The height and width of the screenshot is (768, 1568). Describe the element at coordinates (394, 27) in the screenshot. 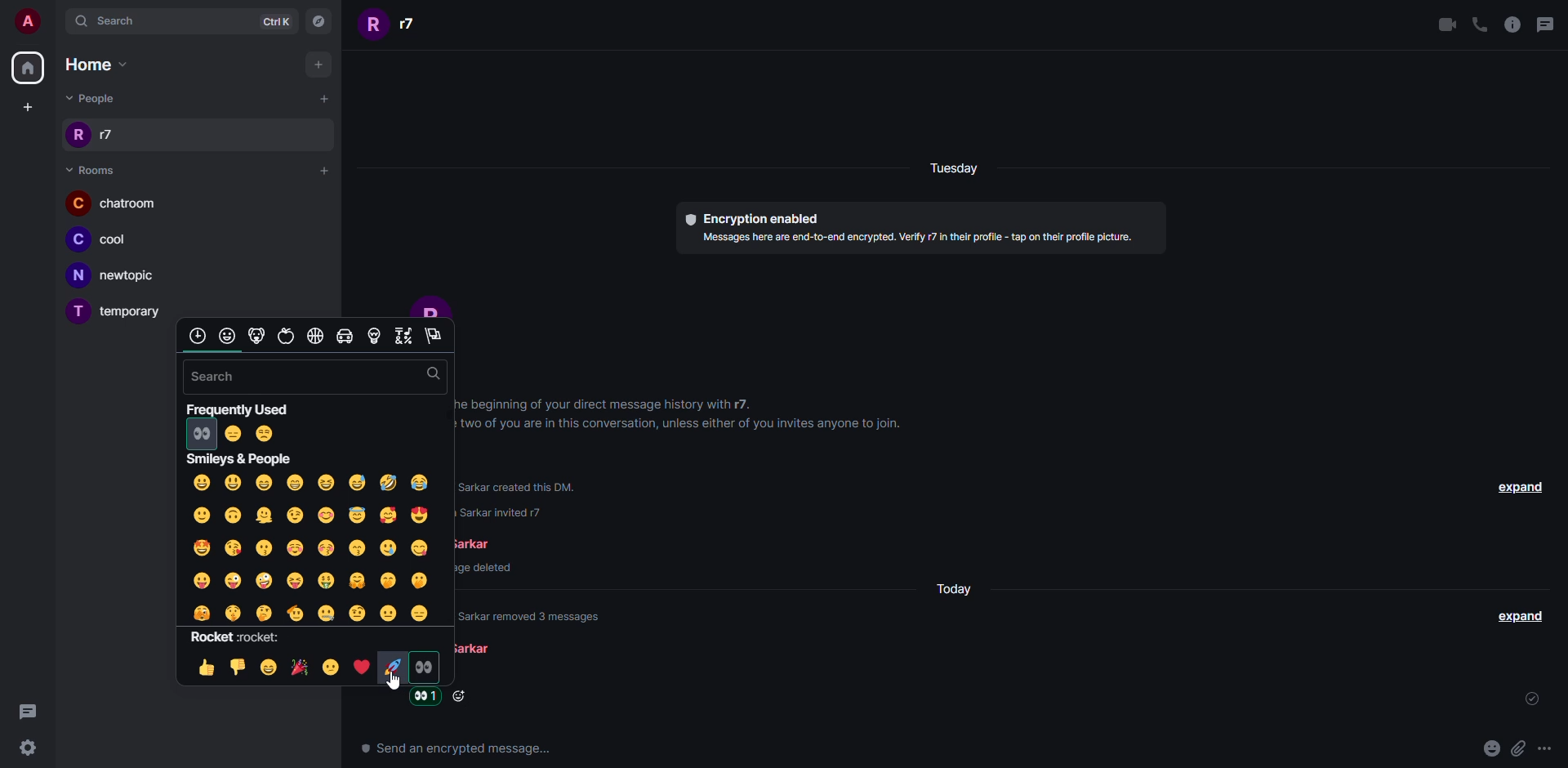

I see `people` at that location.